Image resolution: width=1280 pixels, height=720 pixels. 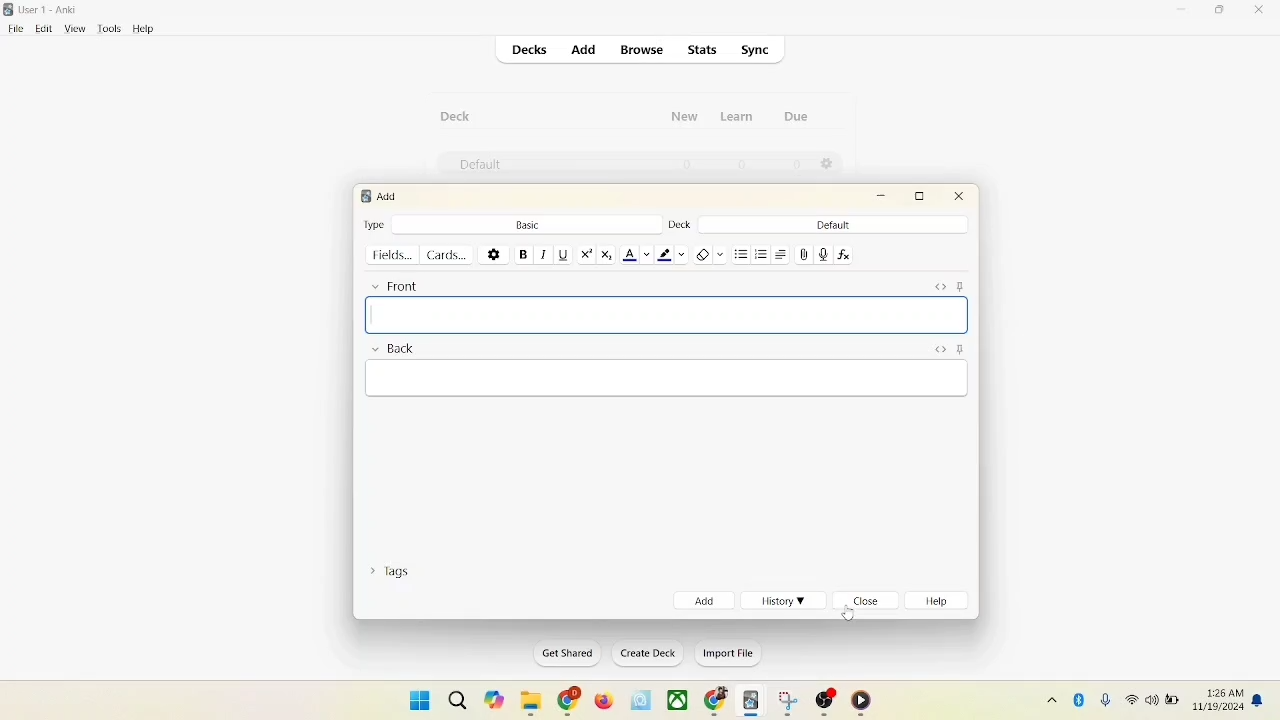 What do you see at coordinates (561, 653) in the screenshot?
I see `get shared` at bounding box center [561, 653].